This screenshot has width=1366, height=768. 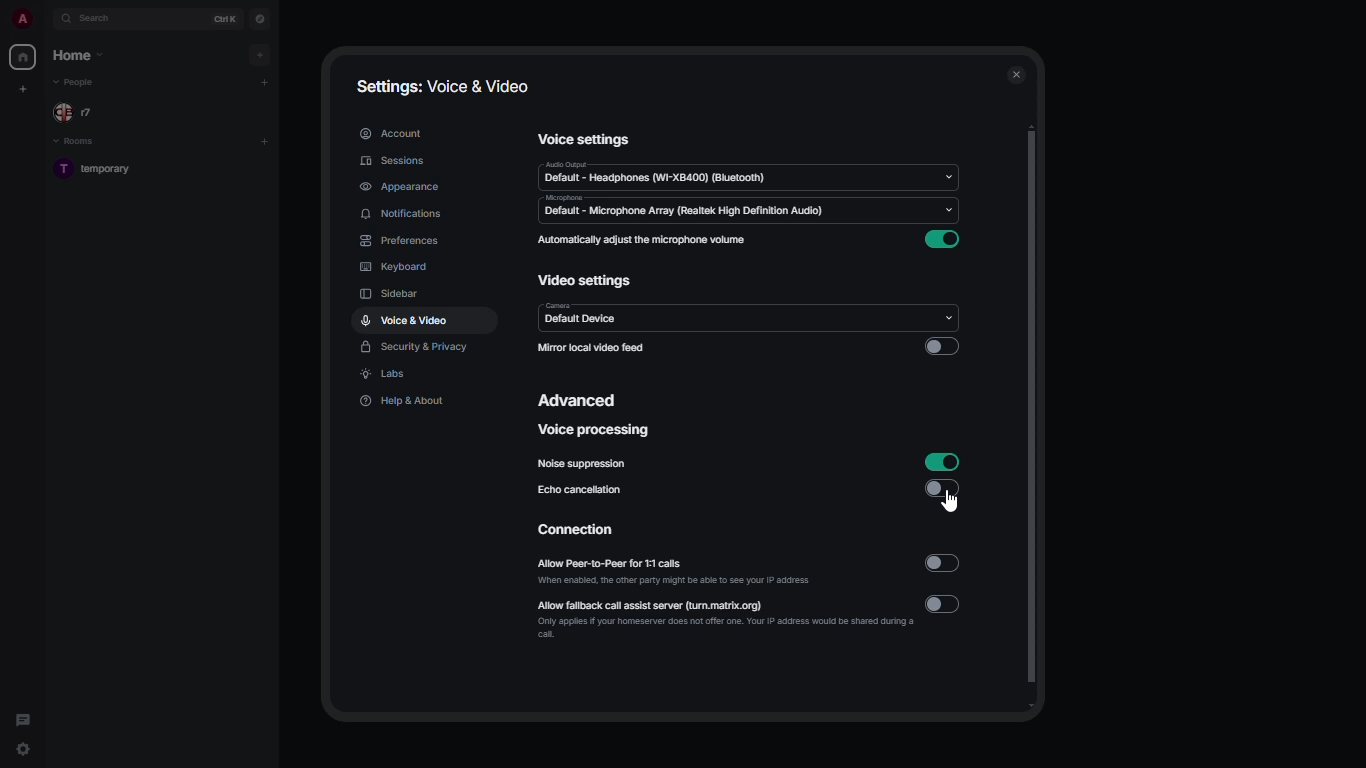 What do you see at coordinates (942, 488) in the screenshot?
I see `disabled` at bounding box center [942, 488].